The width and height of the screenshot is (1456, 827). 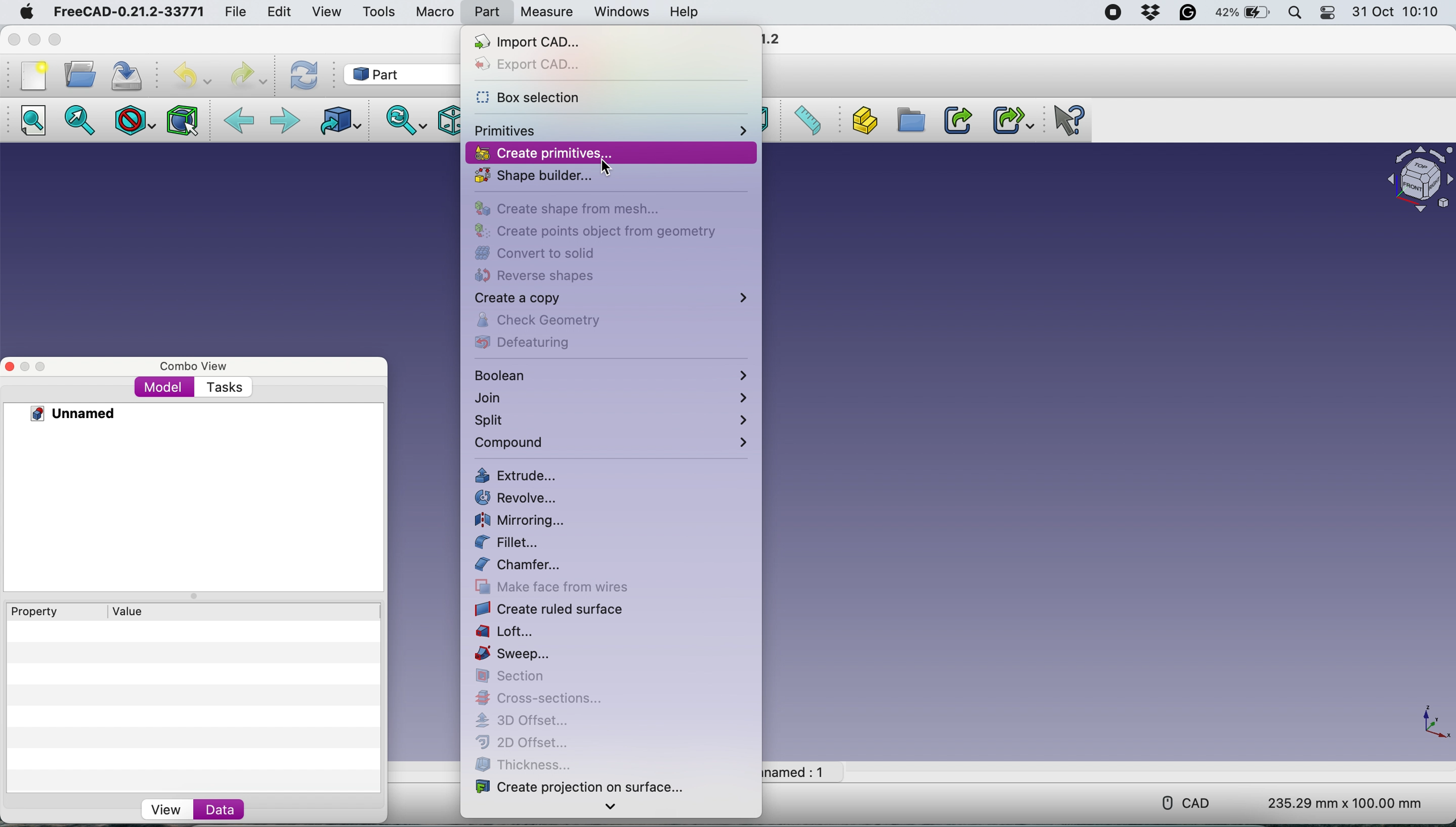 What do you see at coordinates (1153, 13) in the screenshot?
I see `Dropbox` at bounding box center [1153, 13].